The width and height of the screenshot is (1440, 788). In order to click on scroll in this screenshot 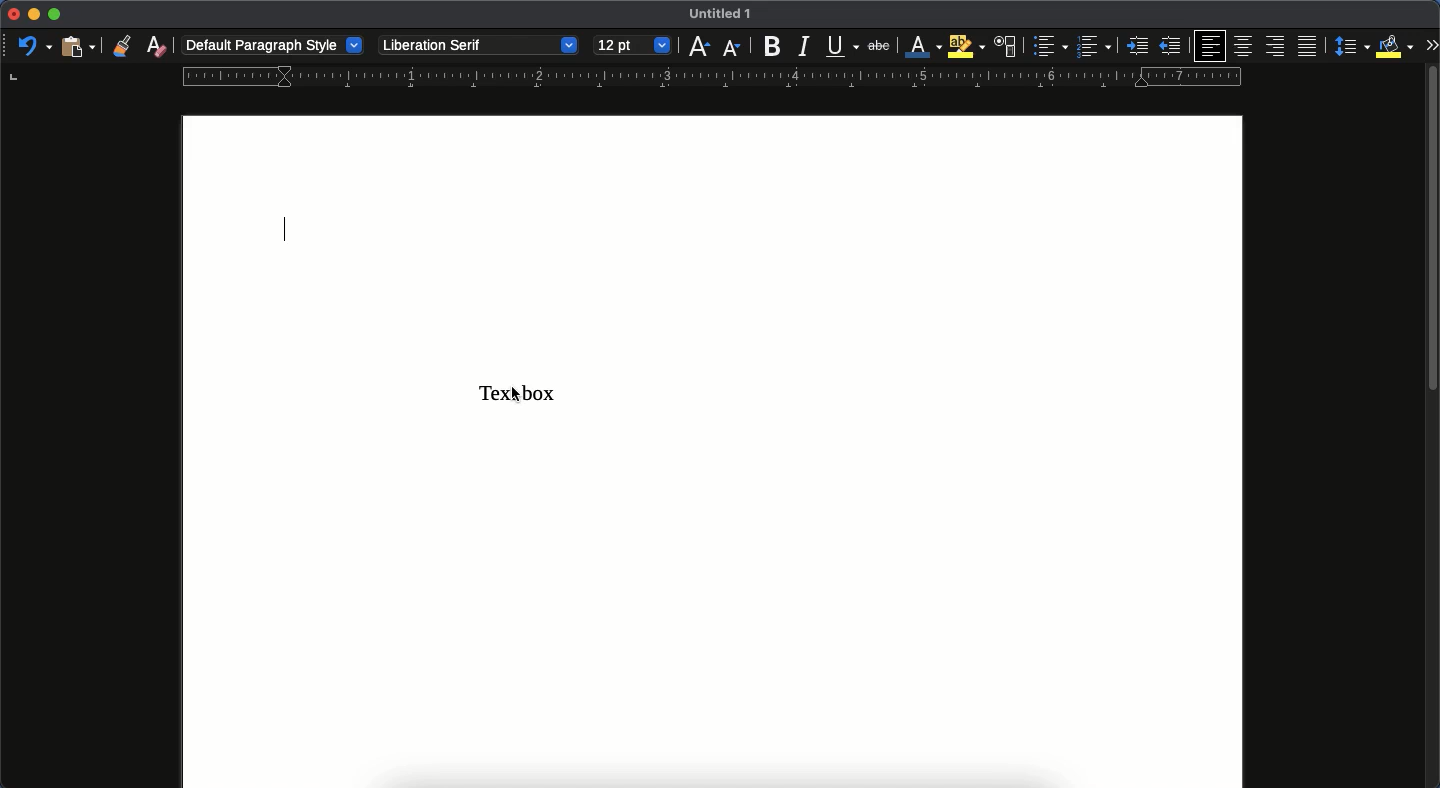, I will do `click(1431, 424)`.